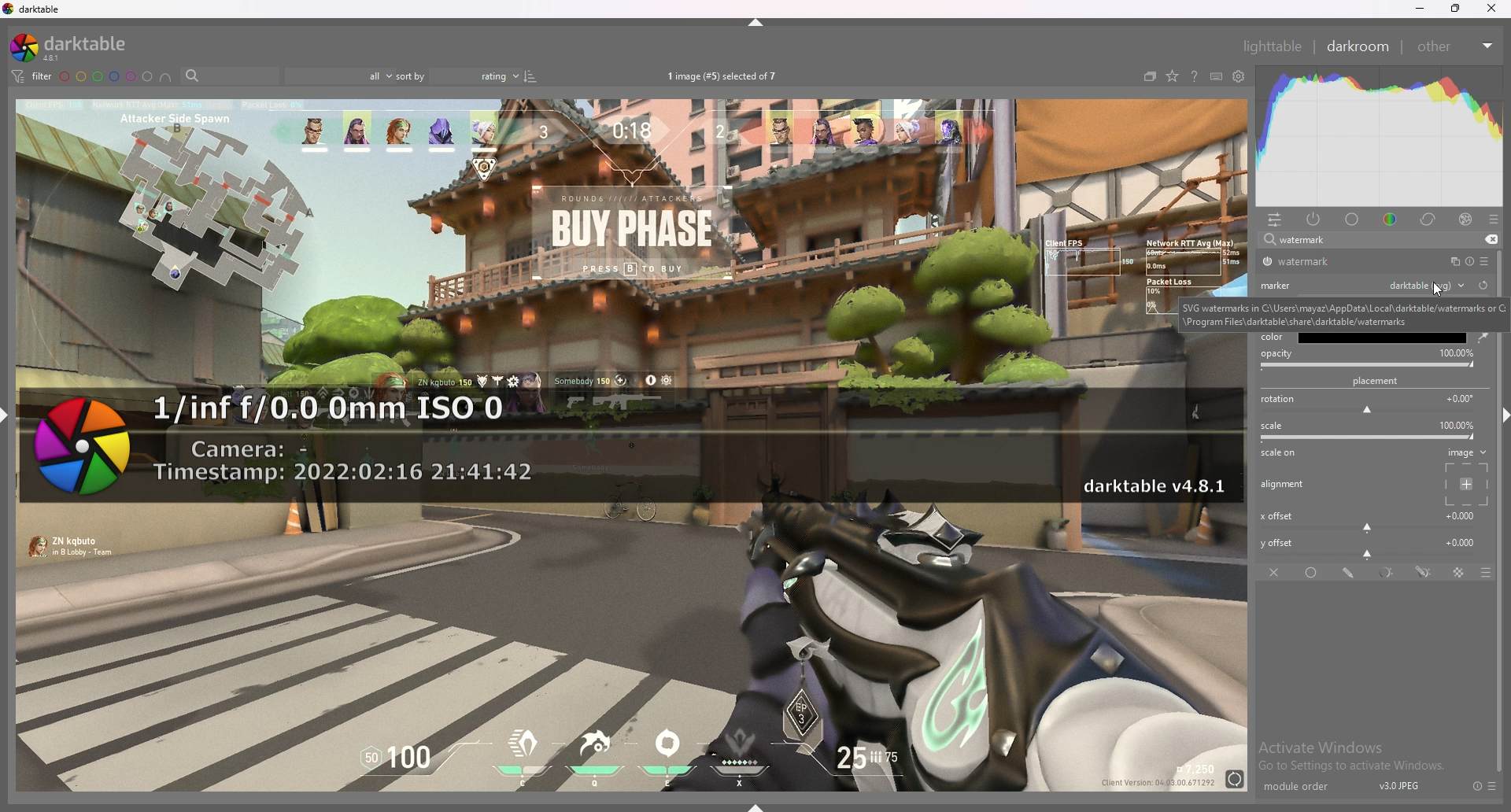  Describe the element at coordinates (1317, 262) in the screenshot. I see `watermark` at that location.